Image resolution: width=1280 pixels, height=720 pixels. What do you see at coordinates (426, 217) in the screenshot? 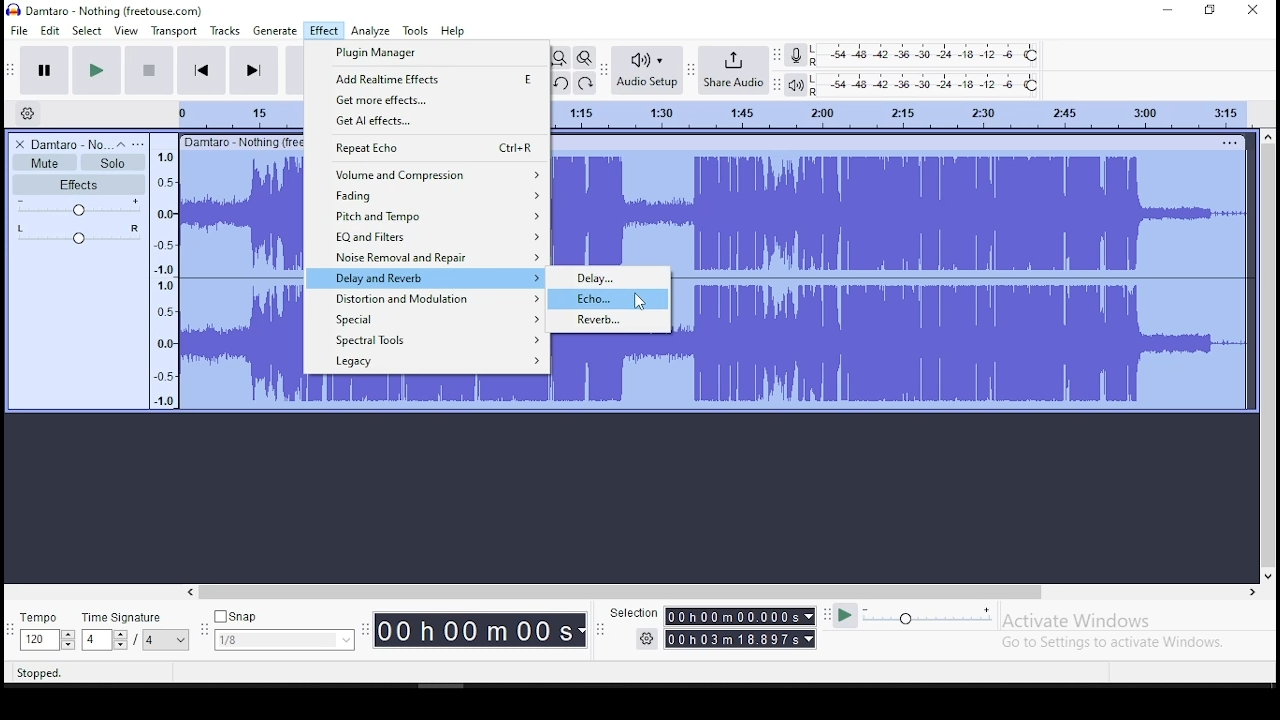
I see `pitch and tempo` at bounding box center [426, 217].